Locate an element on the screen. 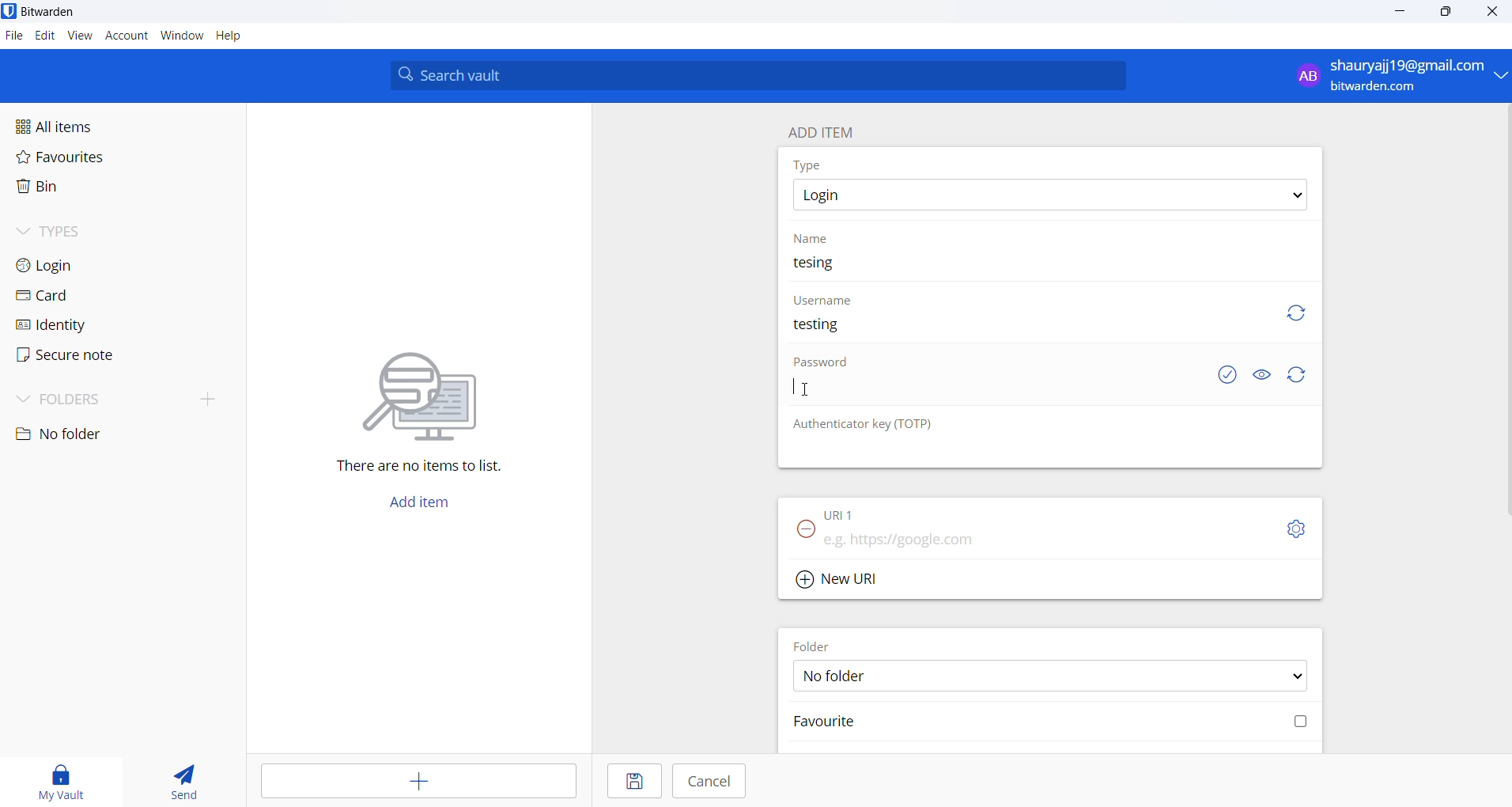  application logo is located at coordinates (10, 11).